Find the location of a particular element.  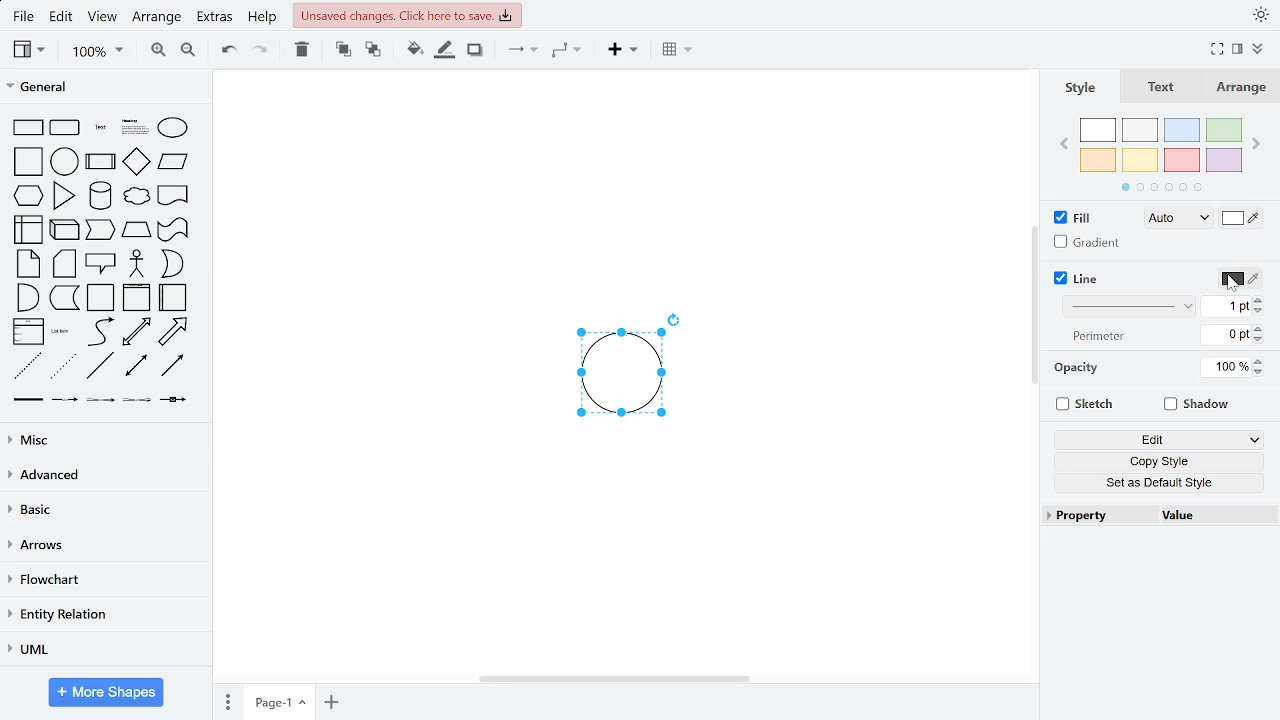

heading is located at coordinates (134, 127).